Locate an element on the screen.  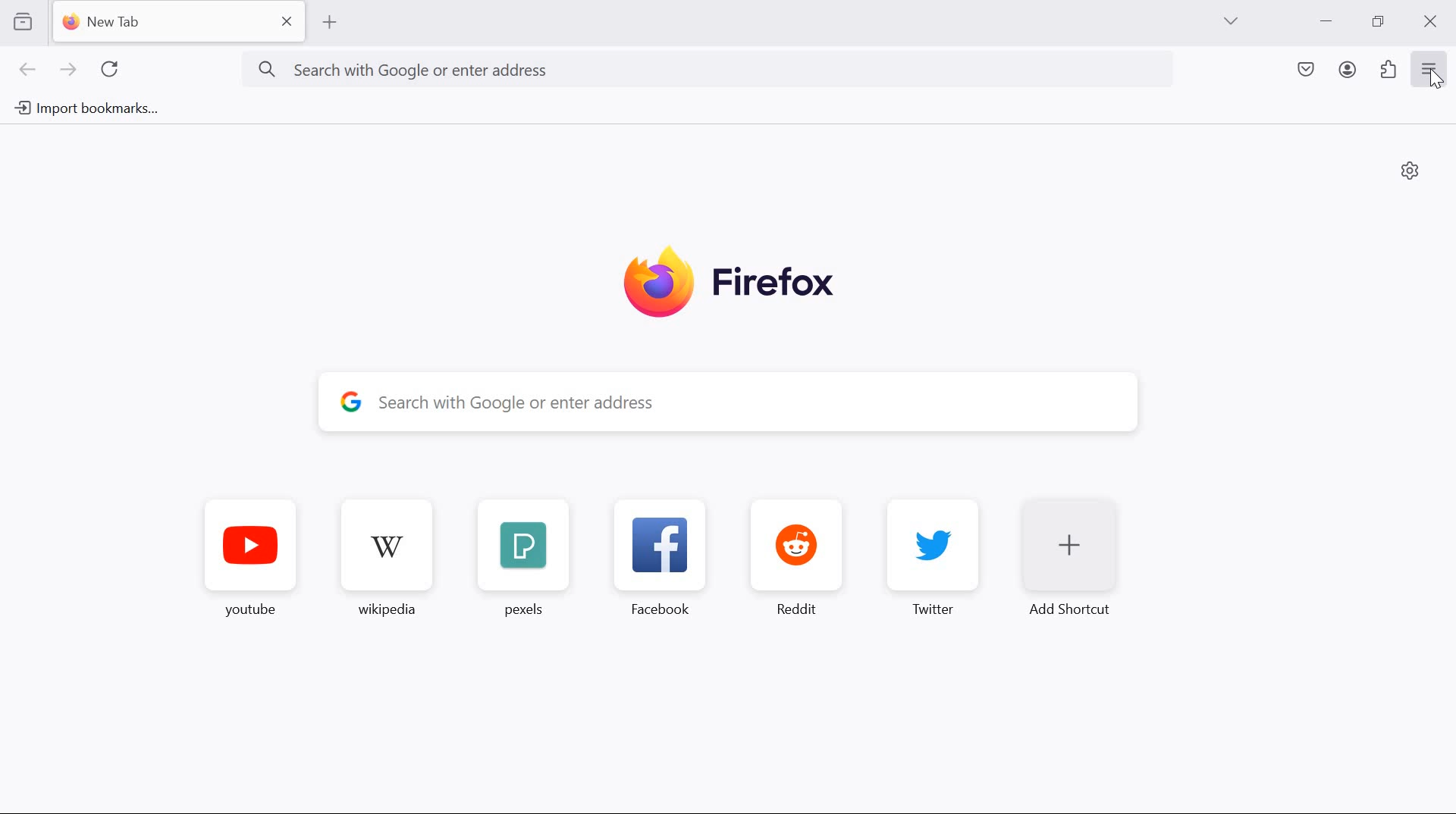
import bookmarks is located at coordinates (90, 108).